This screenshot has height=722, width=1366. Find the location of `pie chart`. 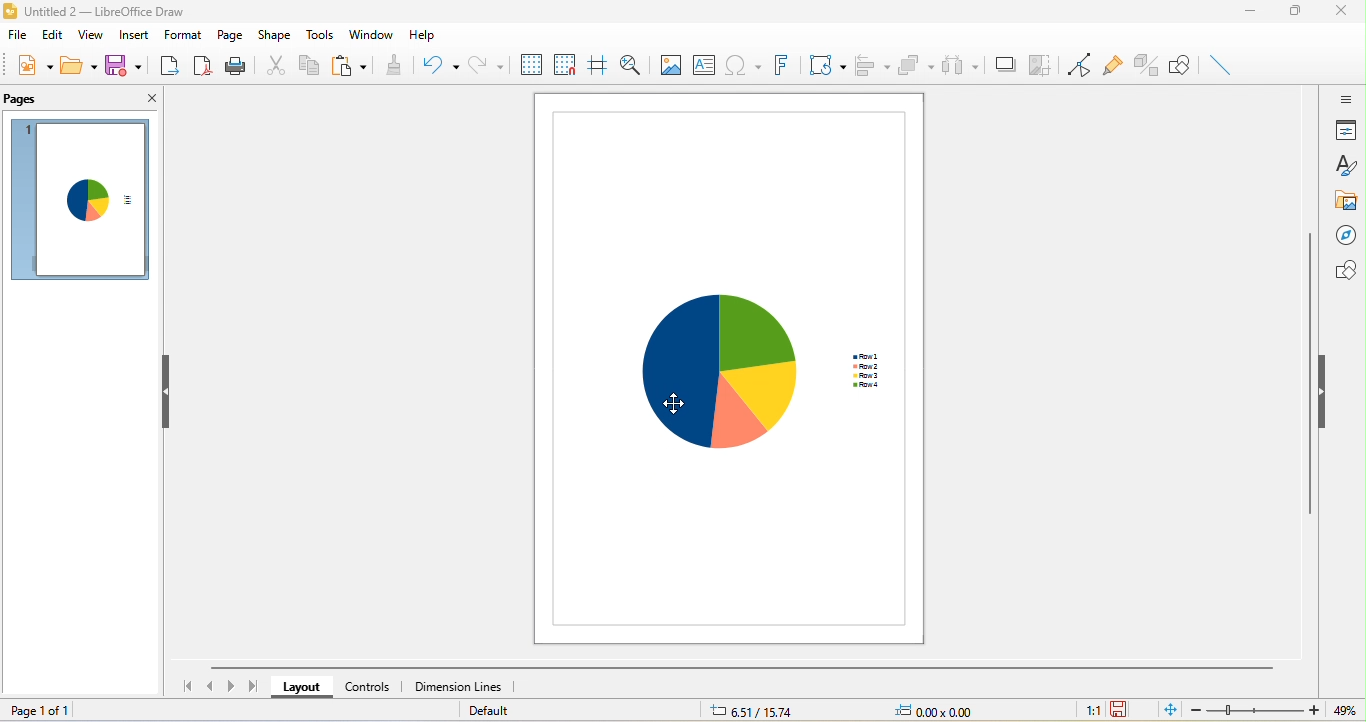

pie chart is located at coordinates (732, 368).